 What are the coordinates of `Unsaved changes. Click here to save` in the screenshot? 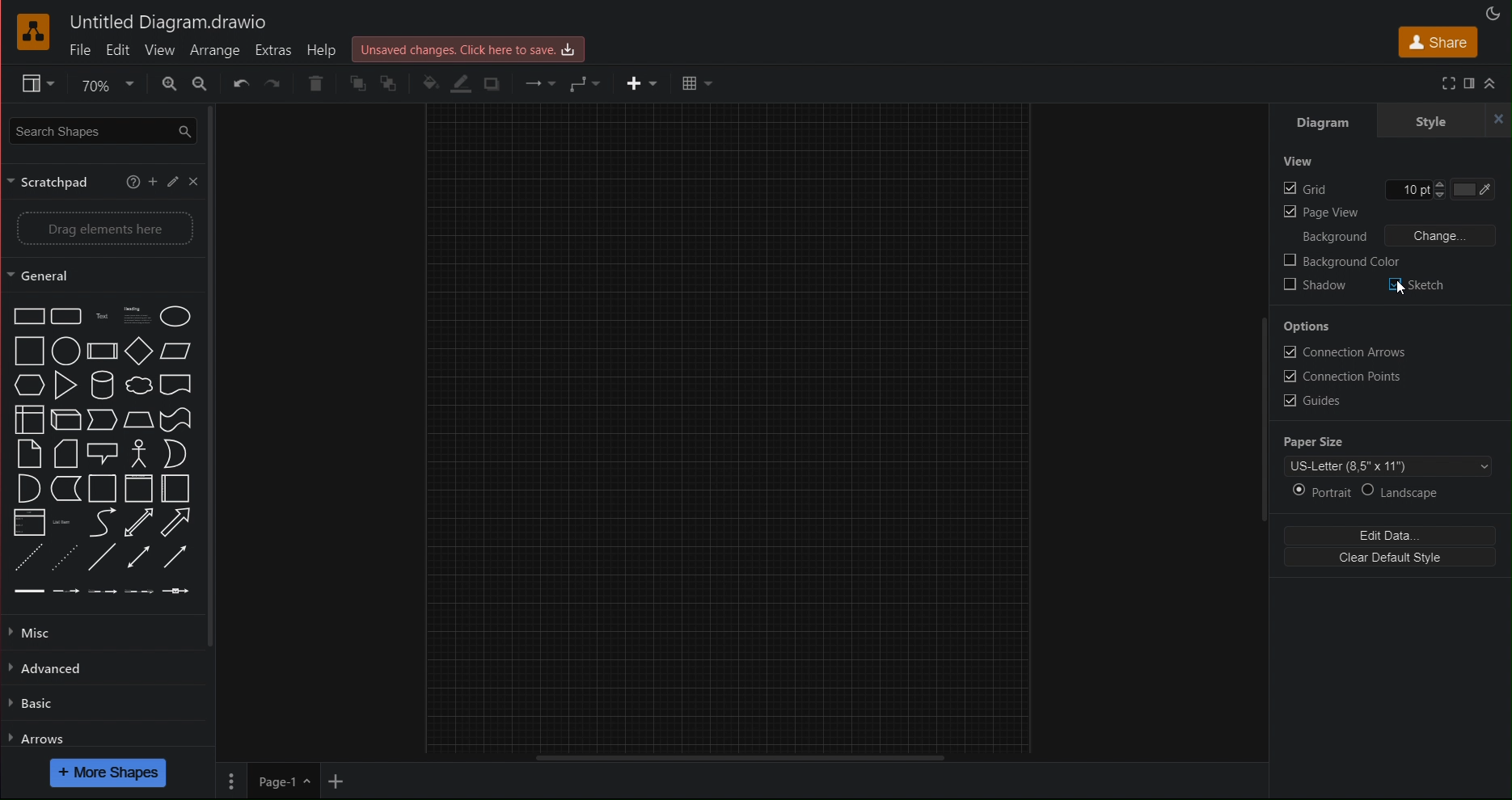 It's located at (471, 49).